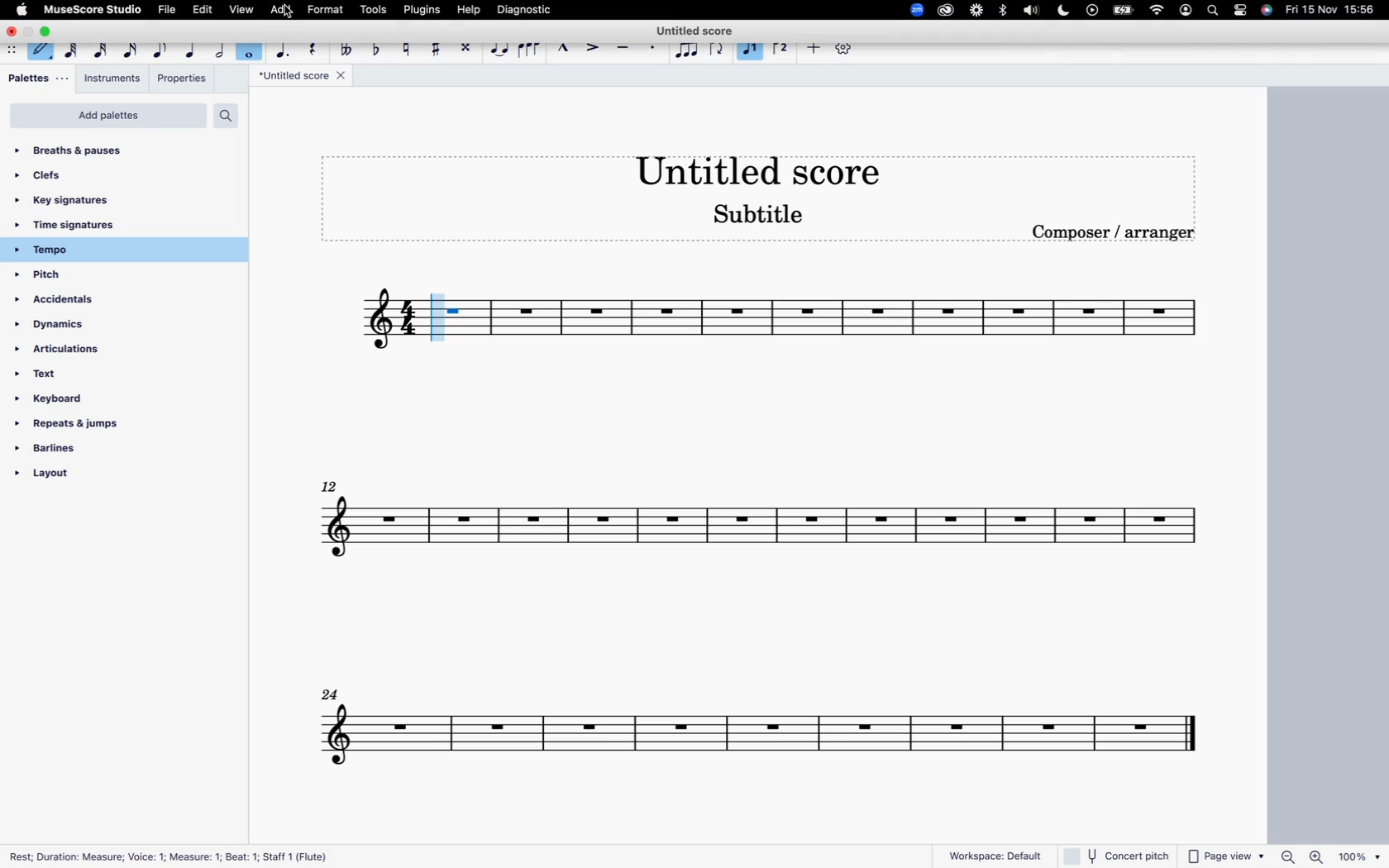  Describe the element at coordinates (316, 49) in the screenshot. I see `rest` at that location.